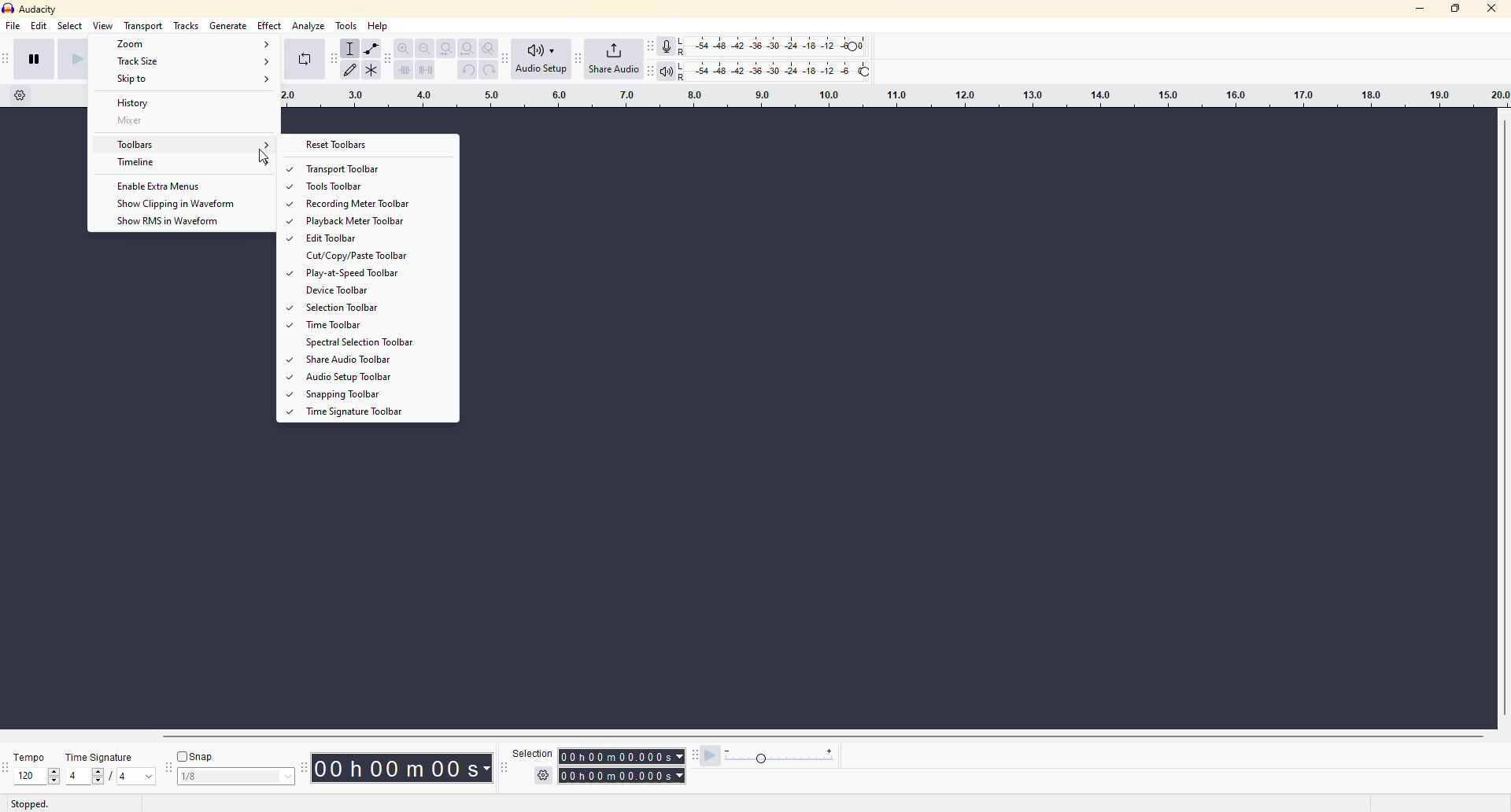 The image size is (1511, 812). What do you see at coordinates (104, 26) in the screenshot?
I see `view` at bounding box center [104, 26].